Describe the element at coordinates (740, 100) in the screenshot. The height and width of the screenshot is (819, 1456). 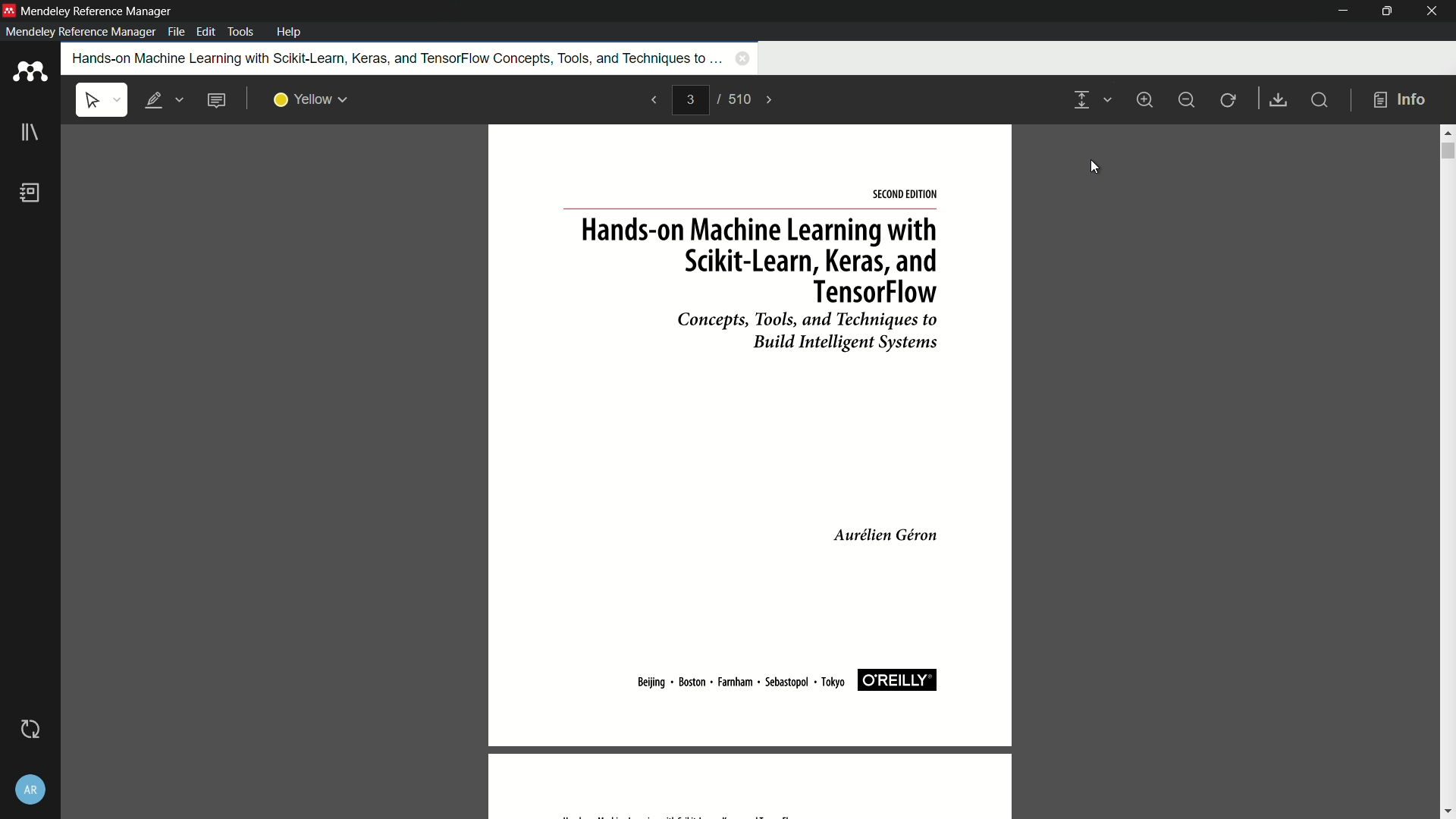
I see `total pages` at that location.